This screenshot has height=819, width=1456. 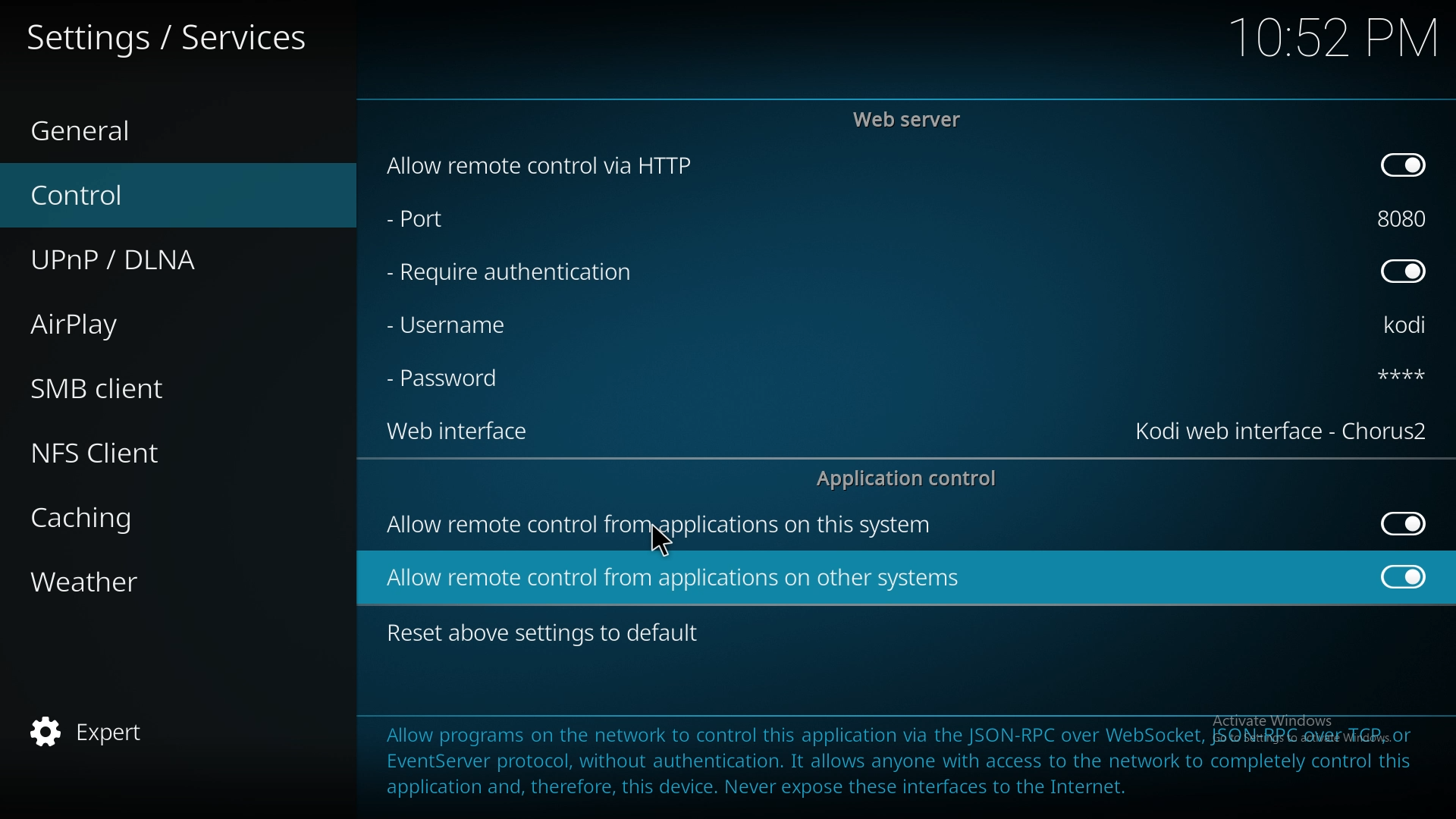 What do you see at coordinates (912, 478) in the screenshot?
I see `application control` at bounding box center [912, 478].